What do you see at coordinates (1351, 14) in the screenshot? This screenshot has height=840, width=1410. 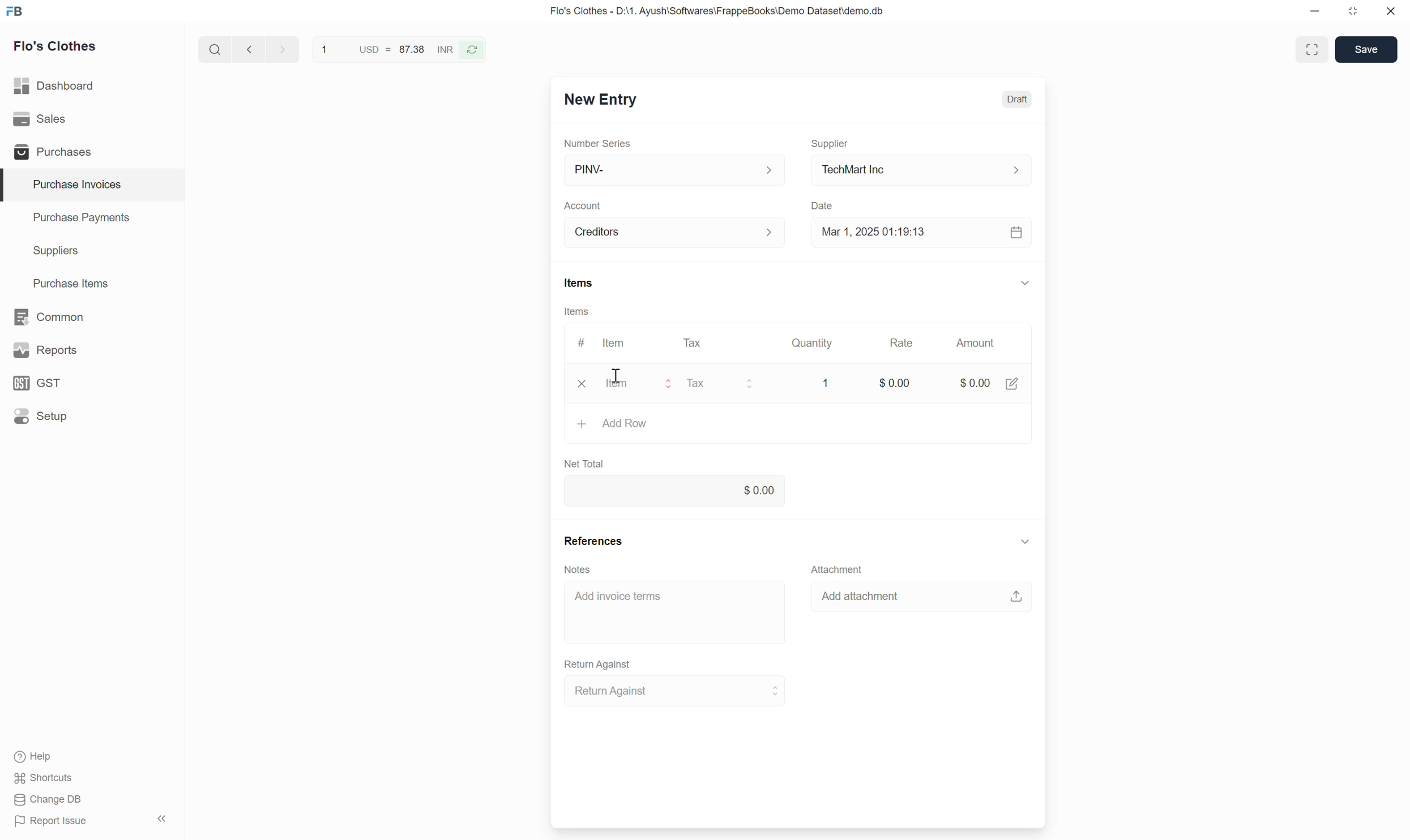 I see `restore down` at bounding box center [1351, 14].